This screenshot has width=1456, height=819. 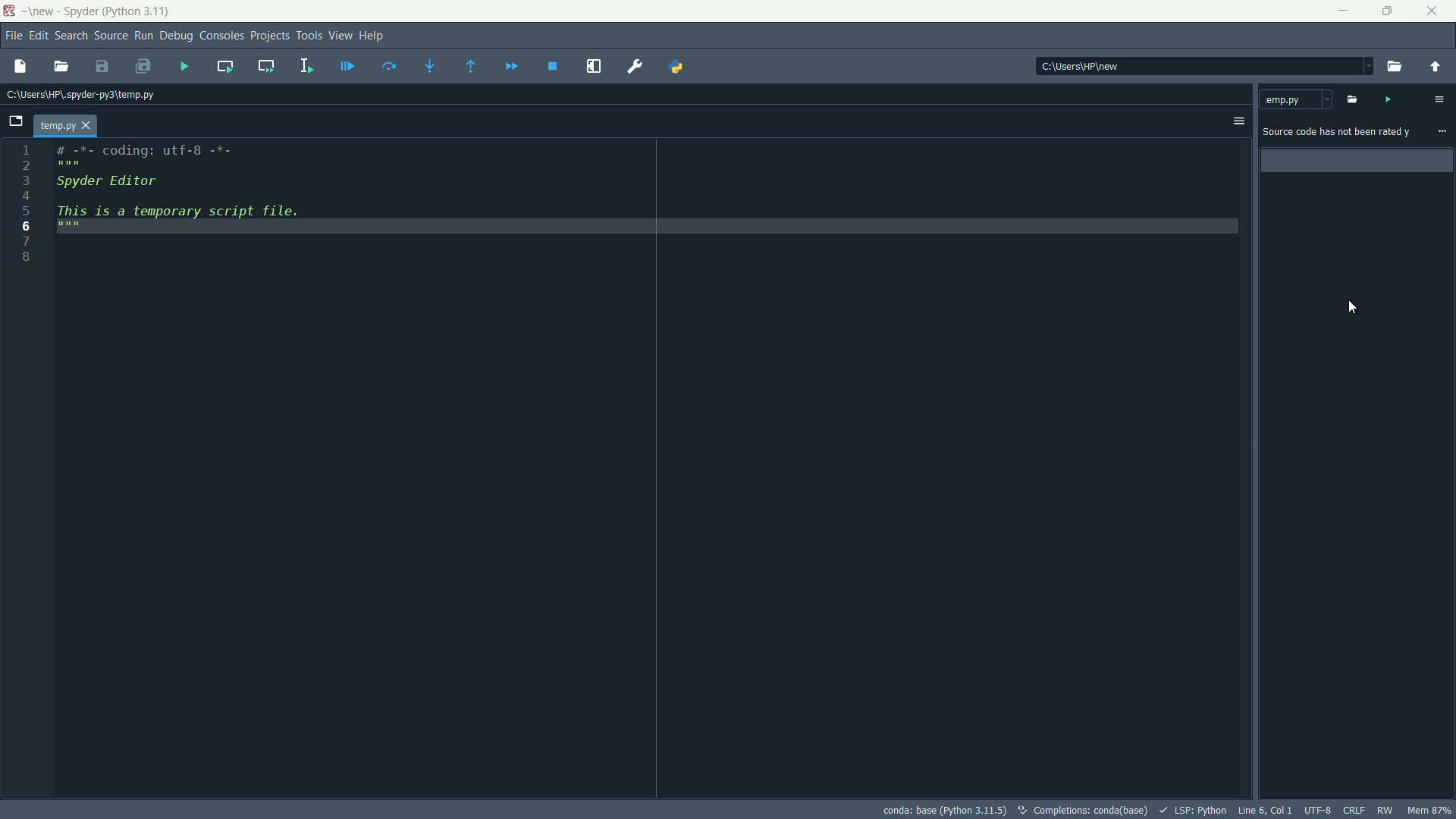 What do you see at coordinates (175, 37) in the screenshot?
I see `debug menu` at bounding box center [175, 37].